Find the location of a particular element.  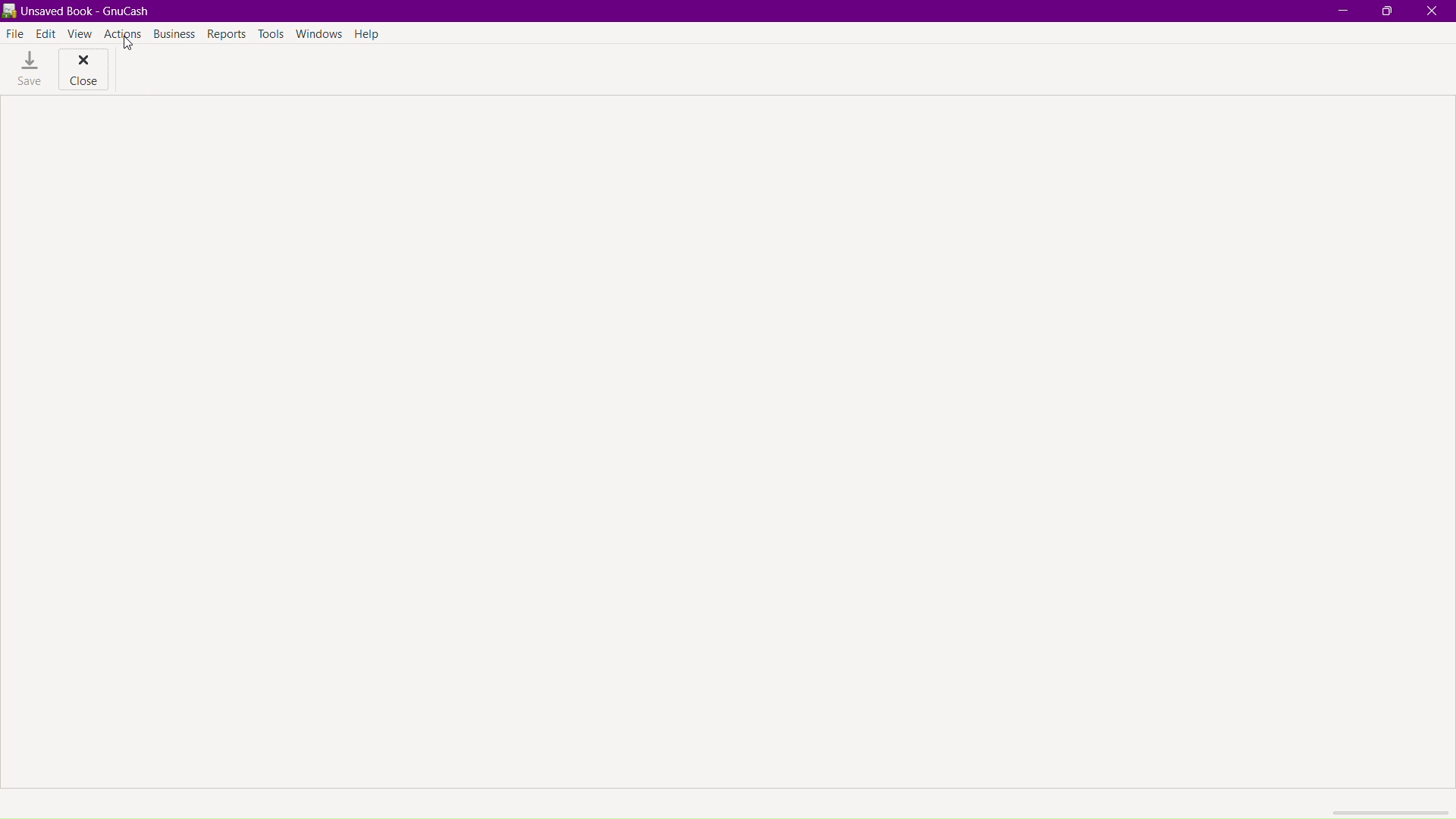

Reports is located at coordinates (228, 32).